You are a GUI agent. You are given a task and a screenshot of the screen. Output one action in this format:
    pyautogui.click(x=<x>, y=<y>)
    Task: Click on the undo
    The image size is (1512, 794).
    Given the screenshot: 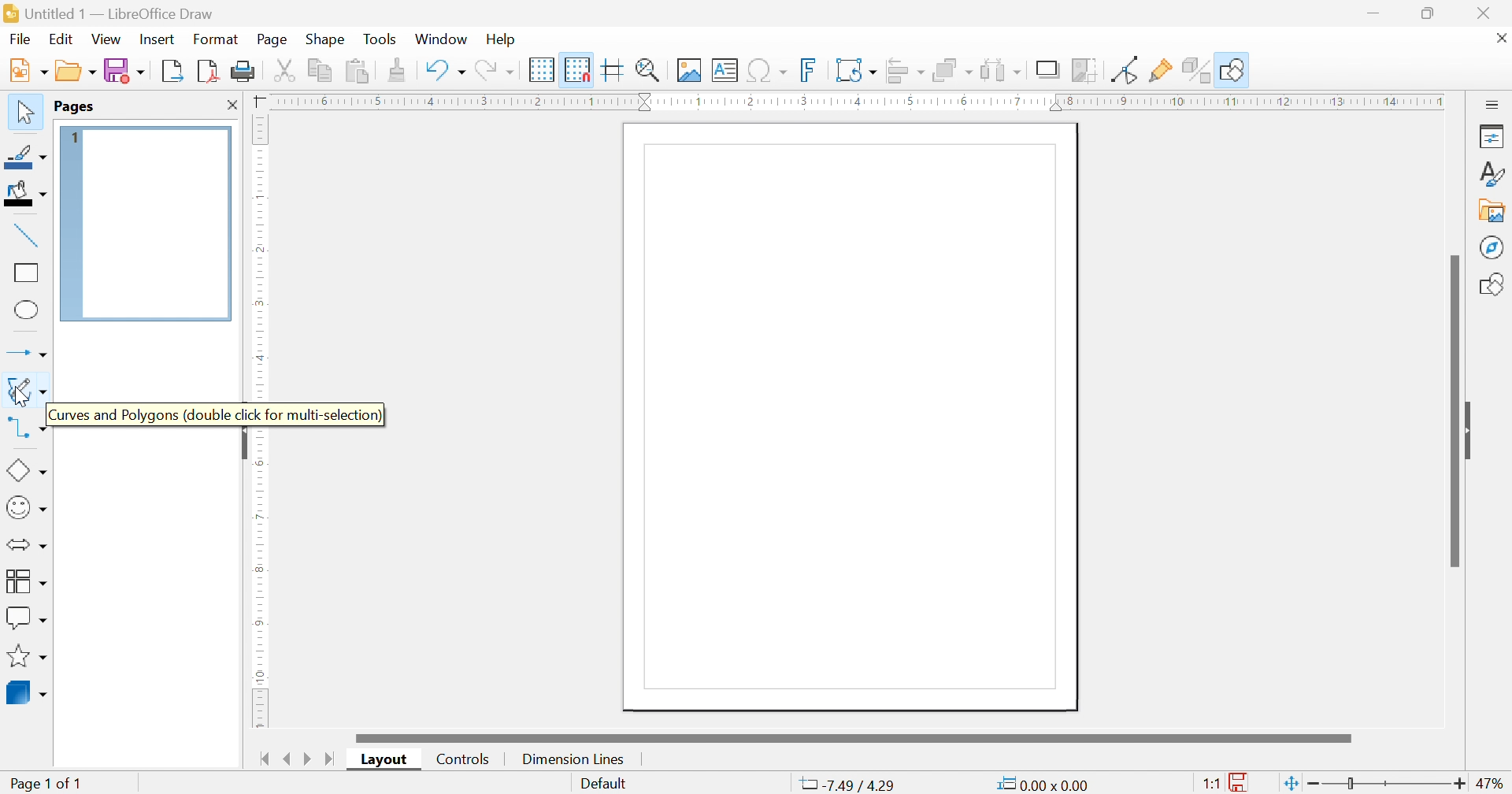 What is the action you would take?
    pyautogui.click(x=445, y=70)
    